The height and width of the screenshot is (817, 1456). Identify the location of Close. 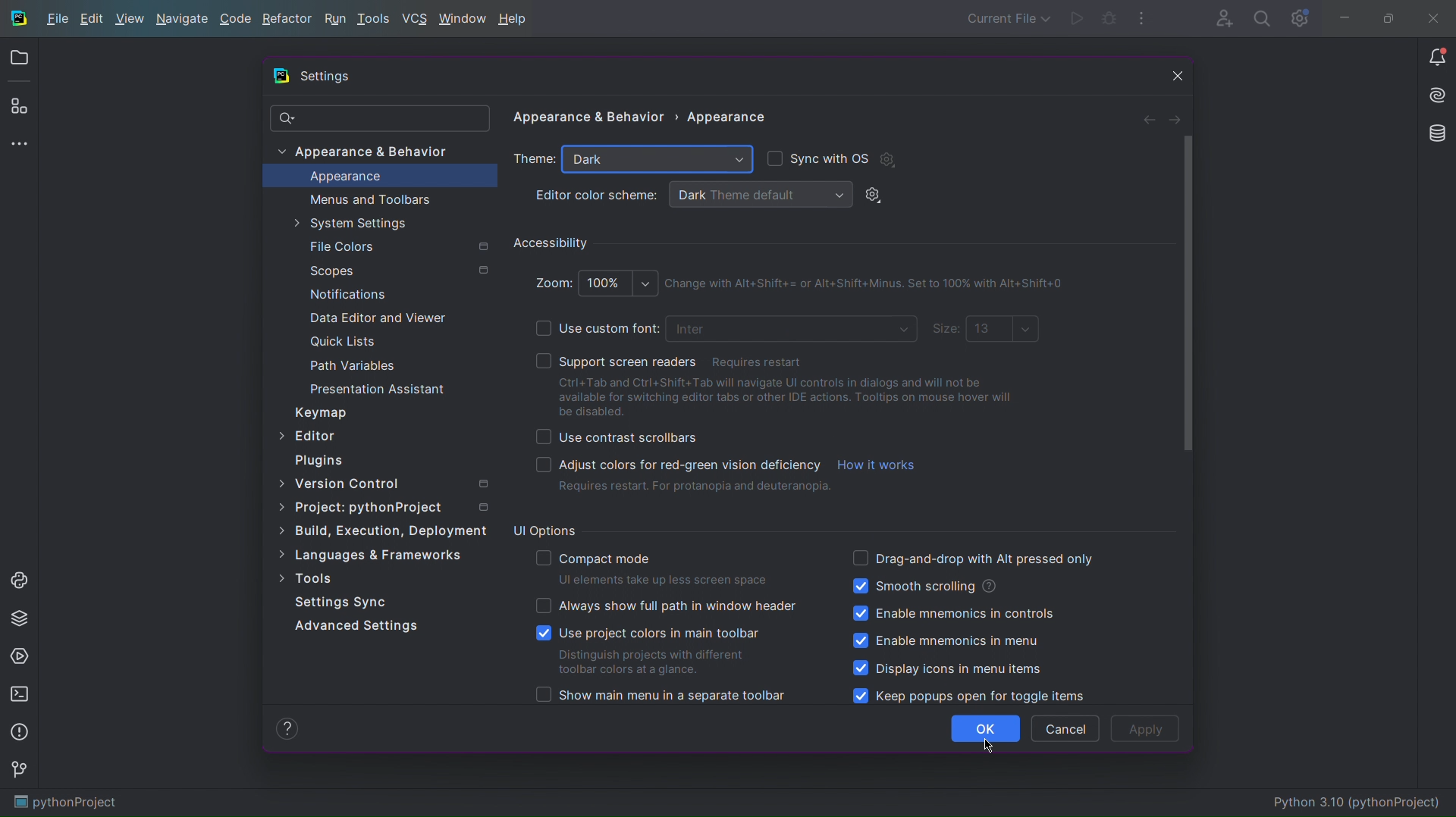
(1170, 75).